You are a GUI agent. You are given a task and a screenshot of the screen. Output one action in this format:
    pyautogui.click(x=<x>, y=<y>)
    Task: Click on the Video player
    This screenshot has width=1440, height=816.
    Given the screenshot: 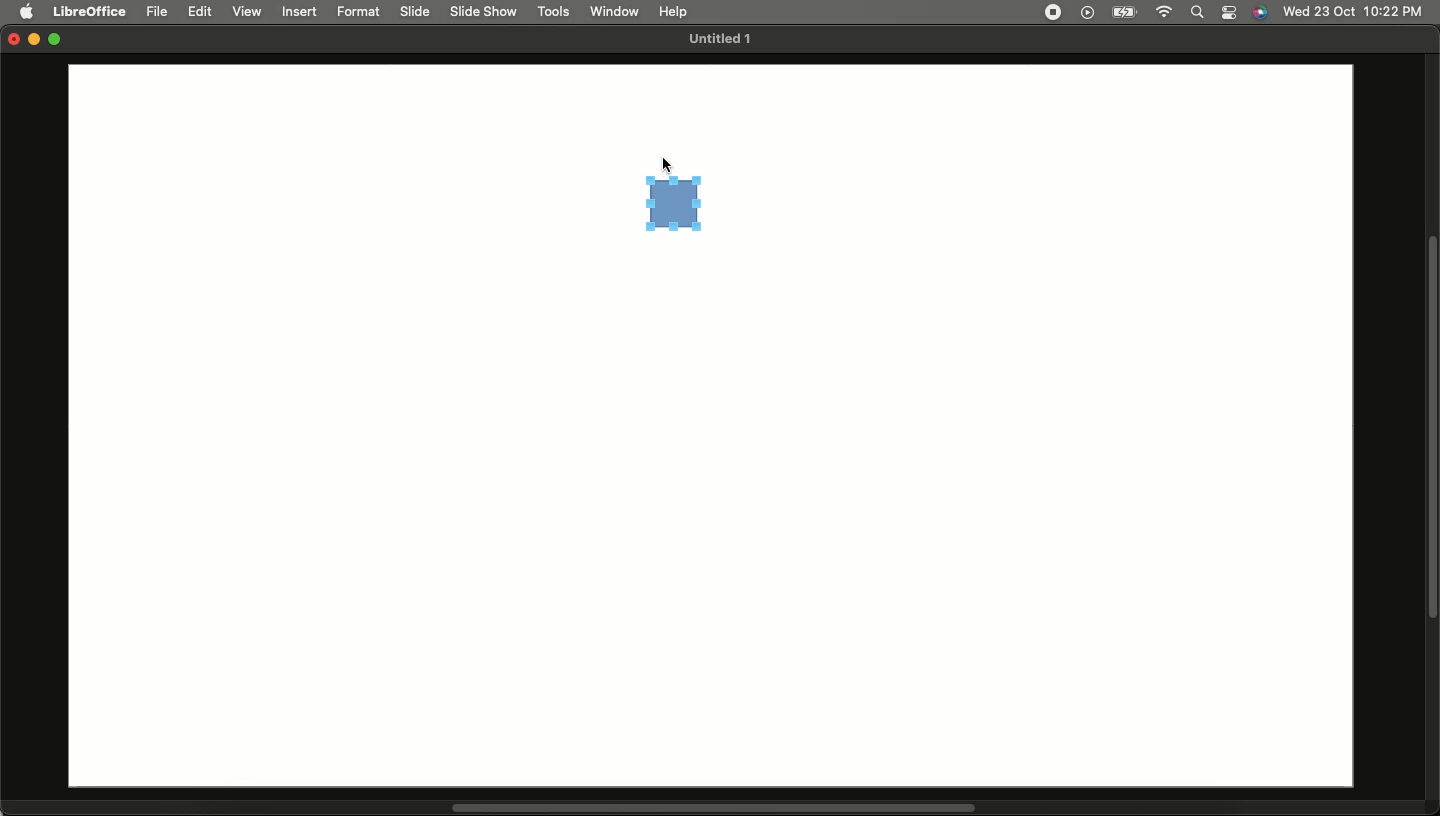 What is the action you would take?
    pyautogui.click(x=1085, y=13)
    